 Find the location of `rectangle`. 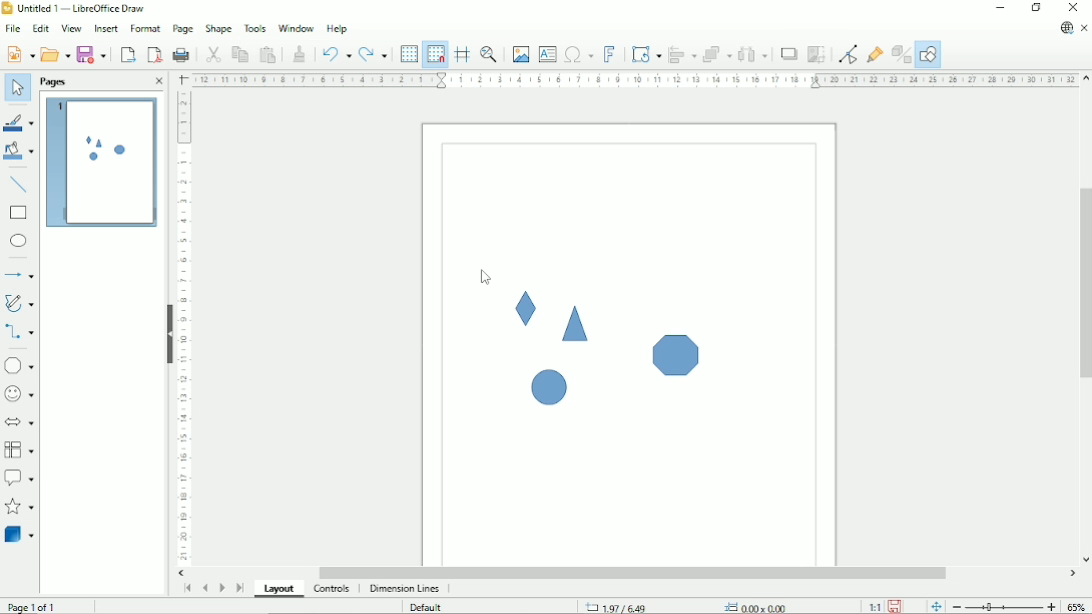

rectangle is located at coordinates (18, 213).